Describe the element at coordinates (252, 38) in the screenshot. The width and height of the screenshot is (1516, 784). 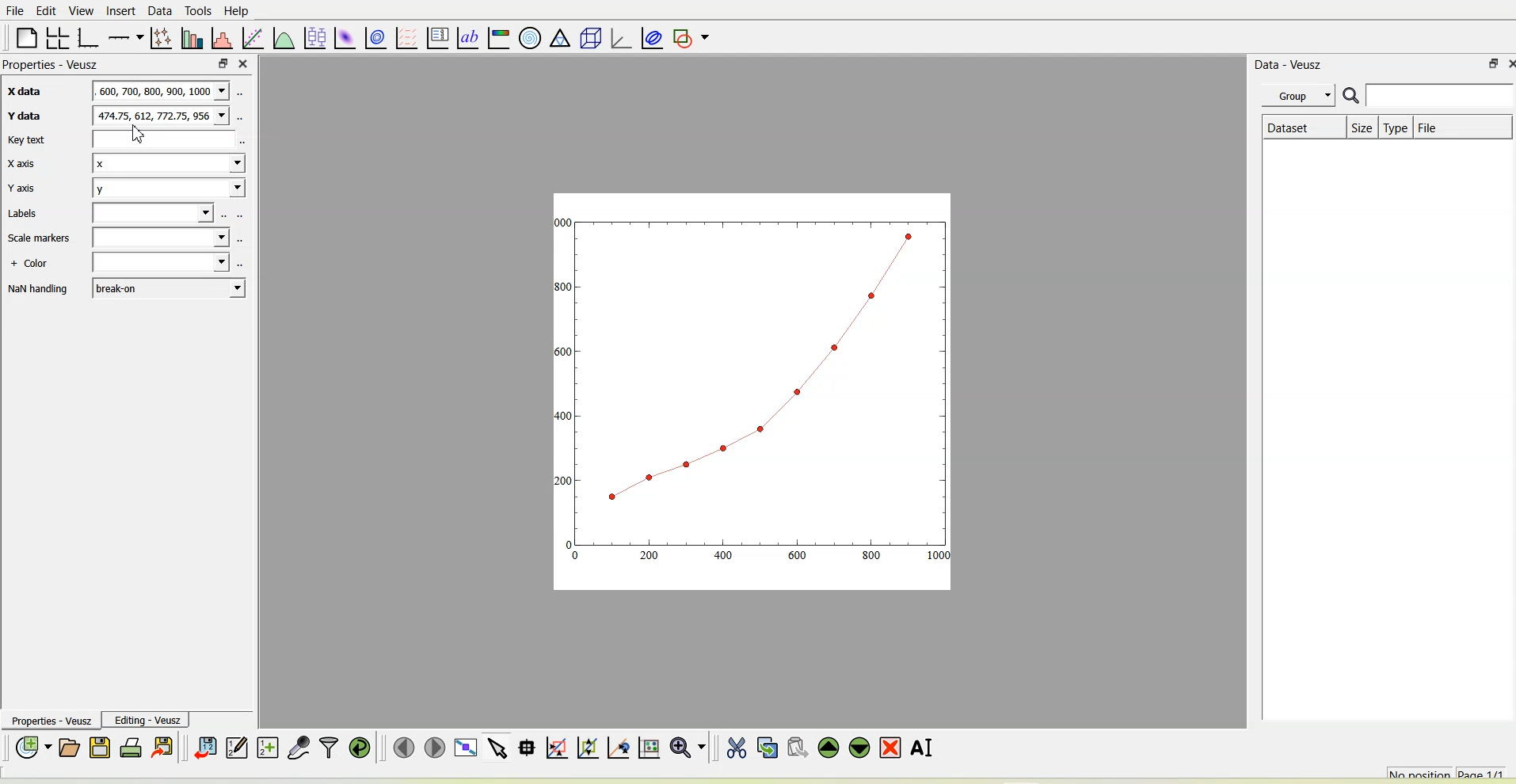
I see `fit a function to data` at that location.